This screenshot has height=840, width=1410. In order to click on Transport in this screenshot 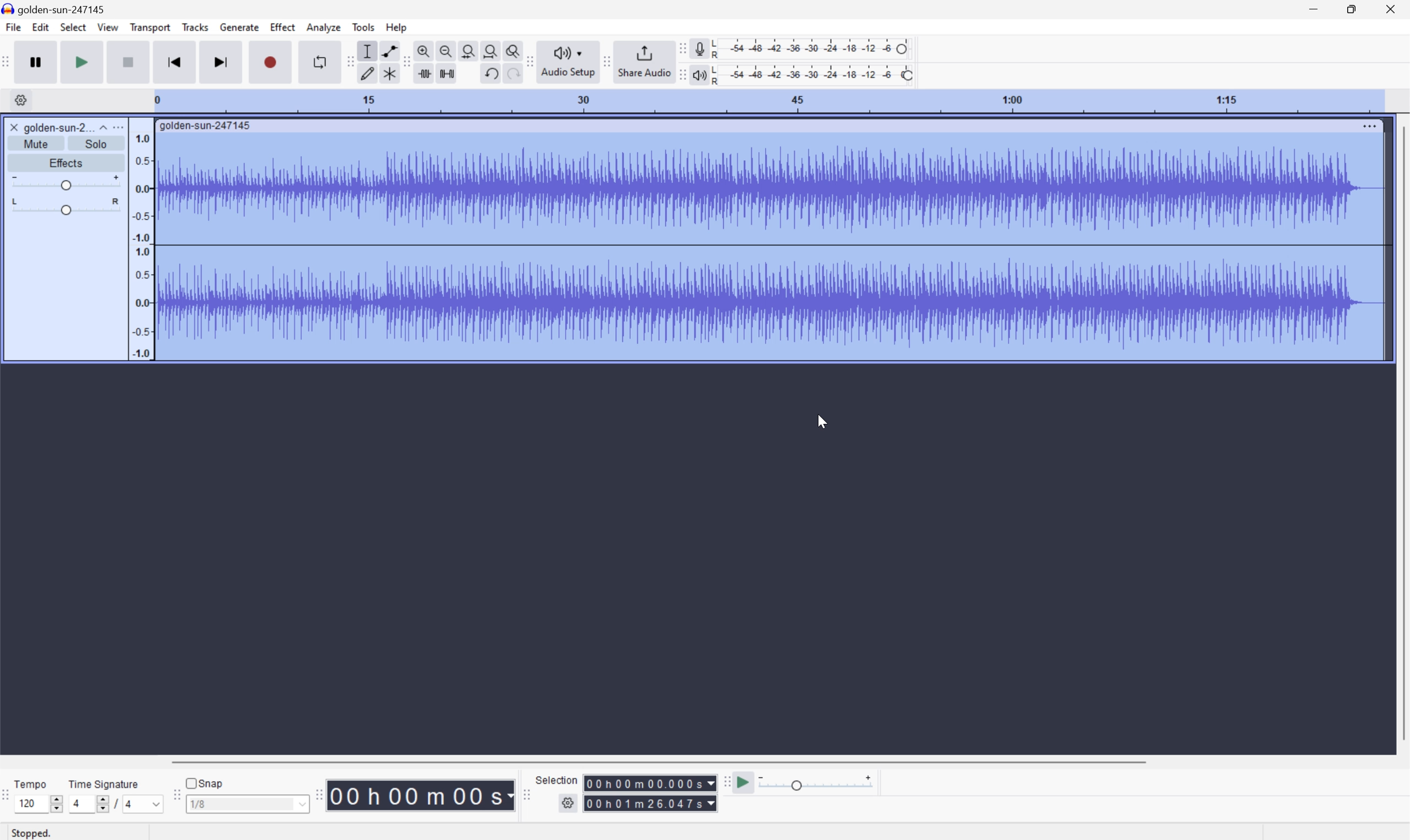, I will do `click(150, 27)`.